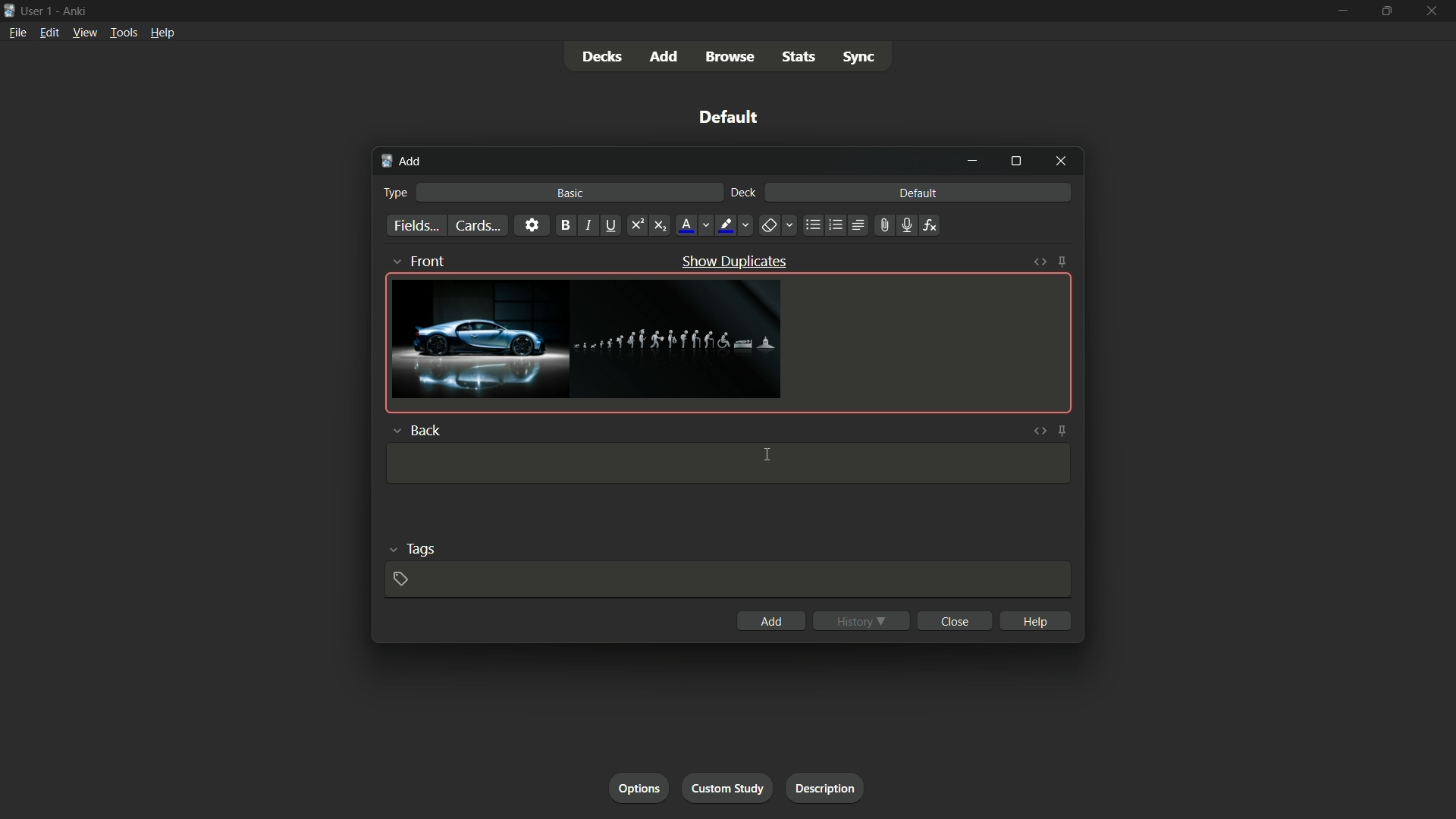 The image size is (1456, 819). Describe the element at coordinates (1341, 11) in the screenshot. I see `minimize` at that location.